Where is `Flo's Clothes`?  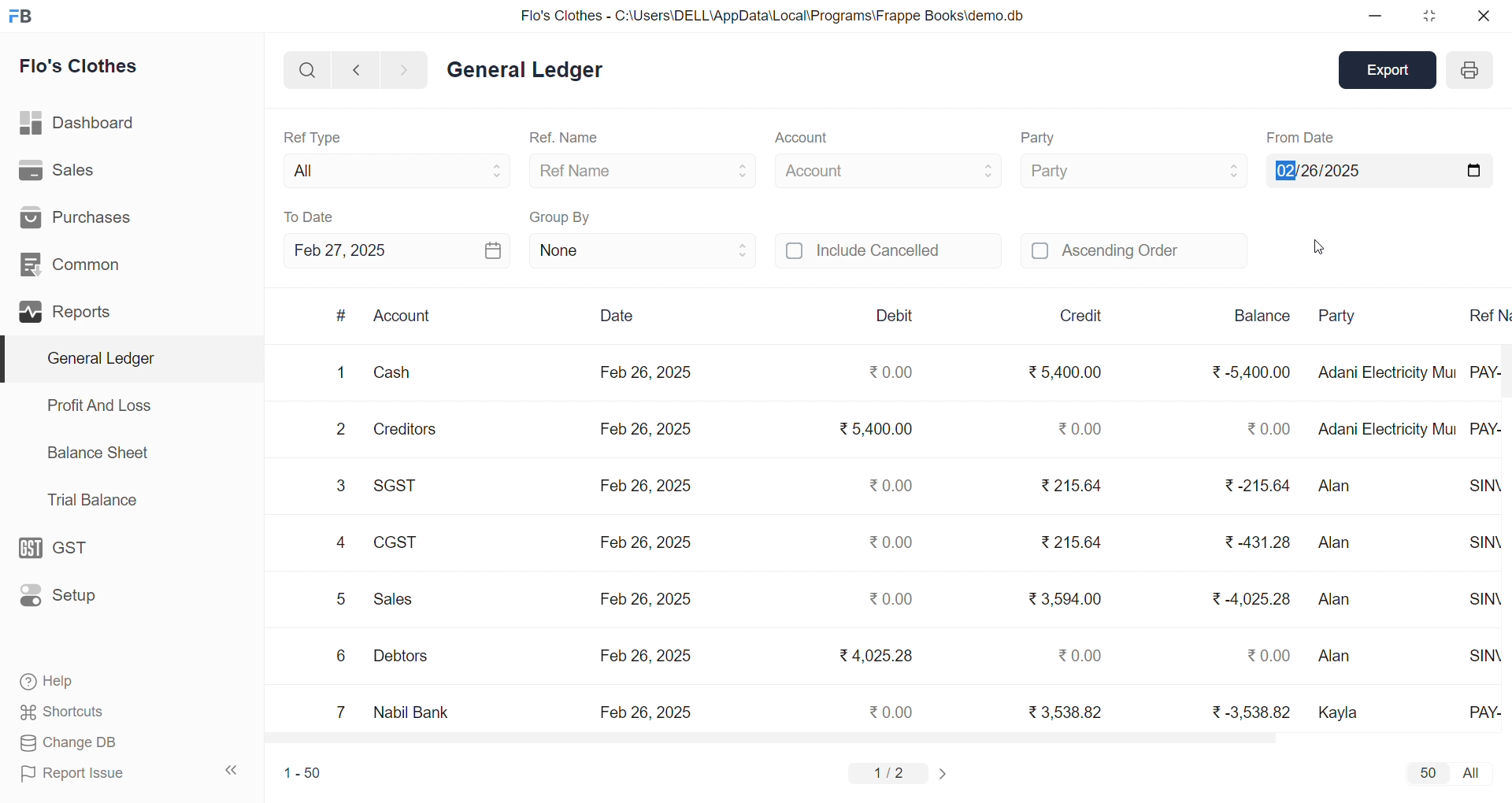 Flo's Clothes is located at coordinates (80, 66).